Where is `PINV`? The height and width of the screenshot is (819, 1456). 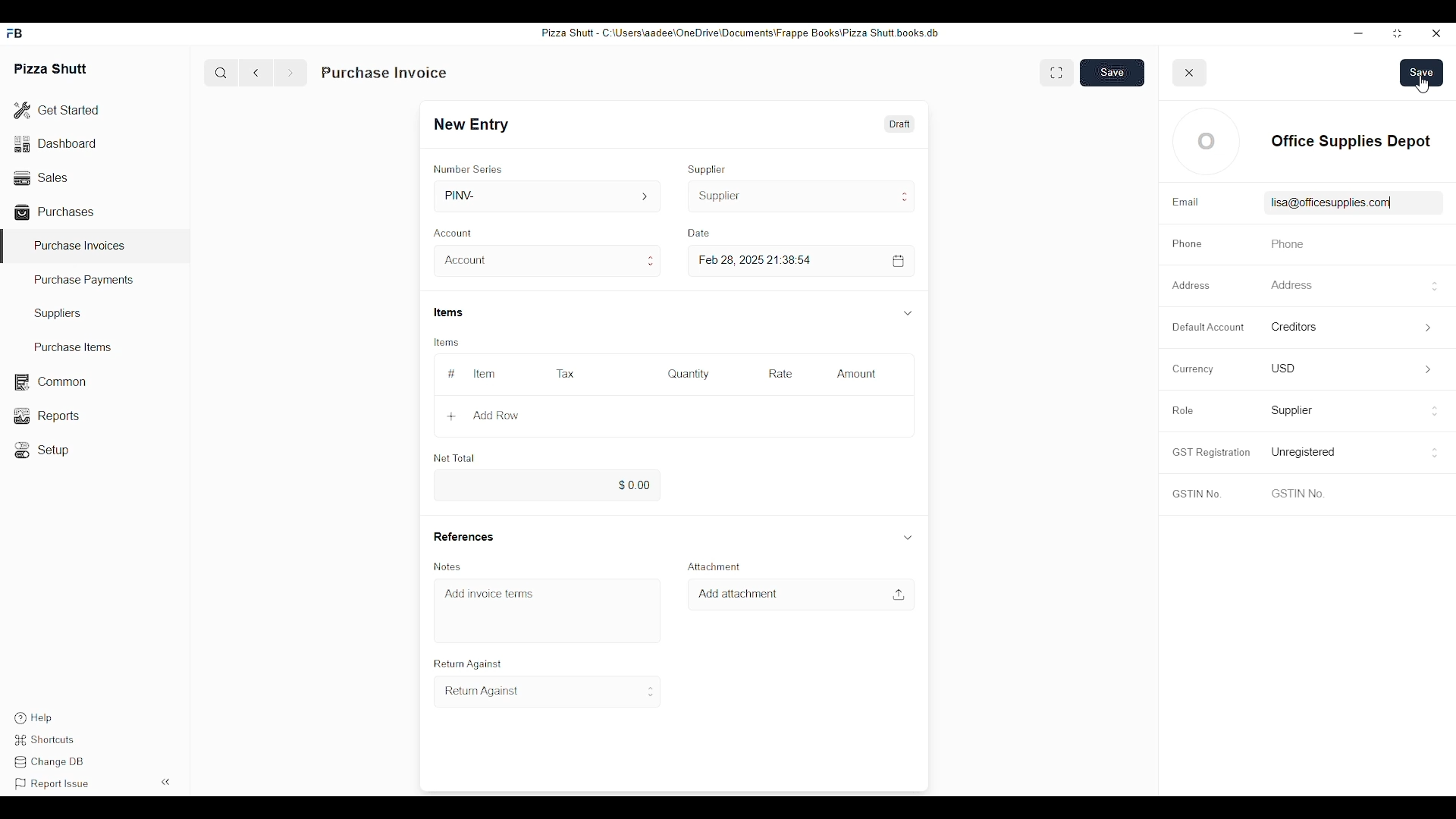 PINV is located at coordinates (549, 196).